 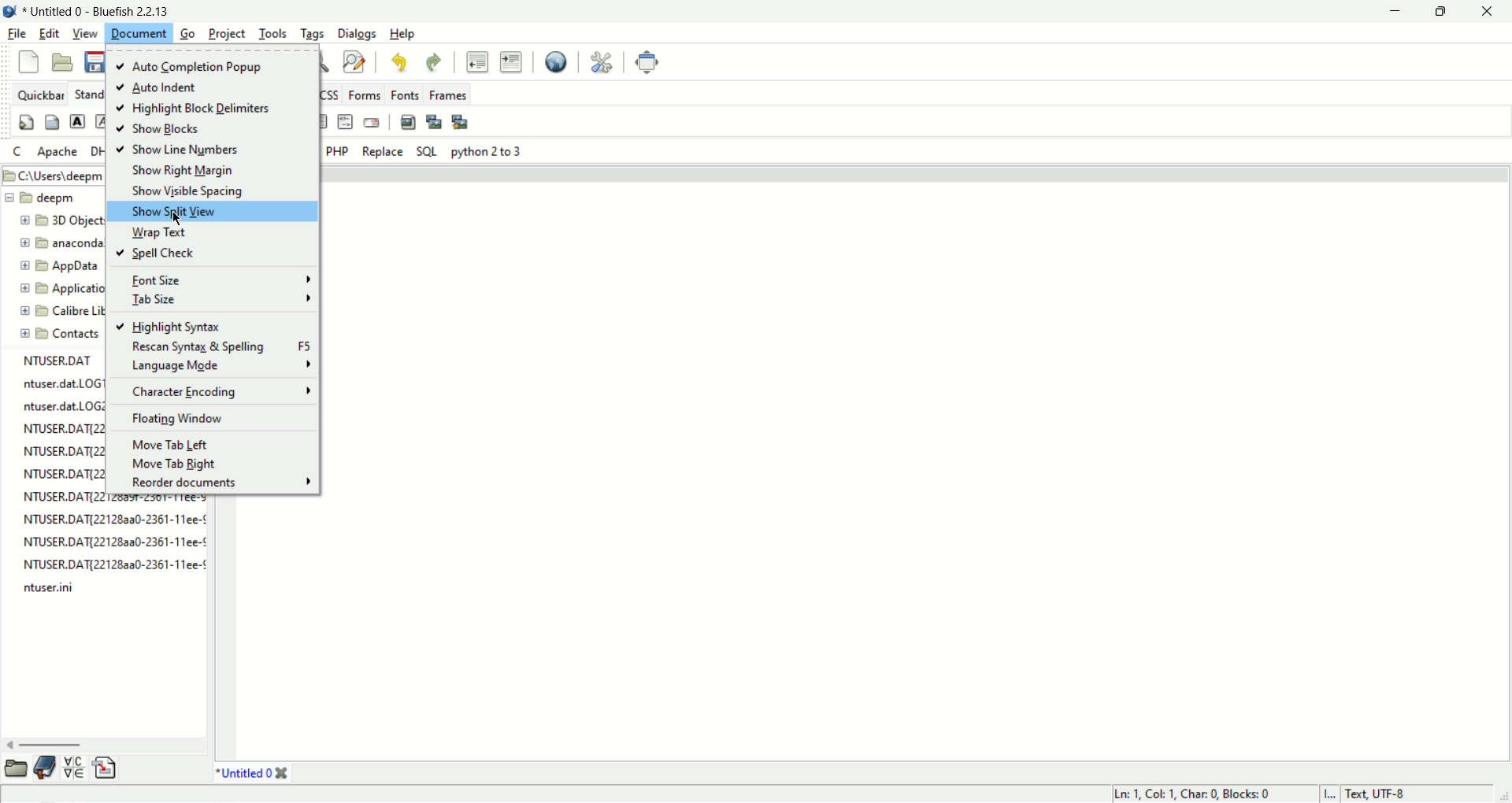 I want to click on html comment, so click(x=345, y=121).